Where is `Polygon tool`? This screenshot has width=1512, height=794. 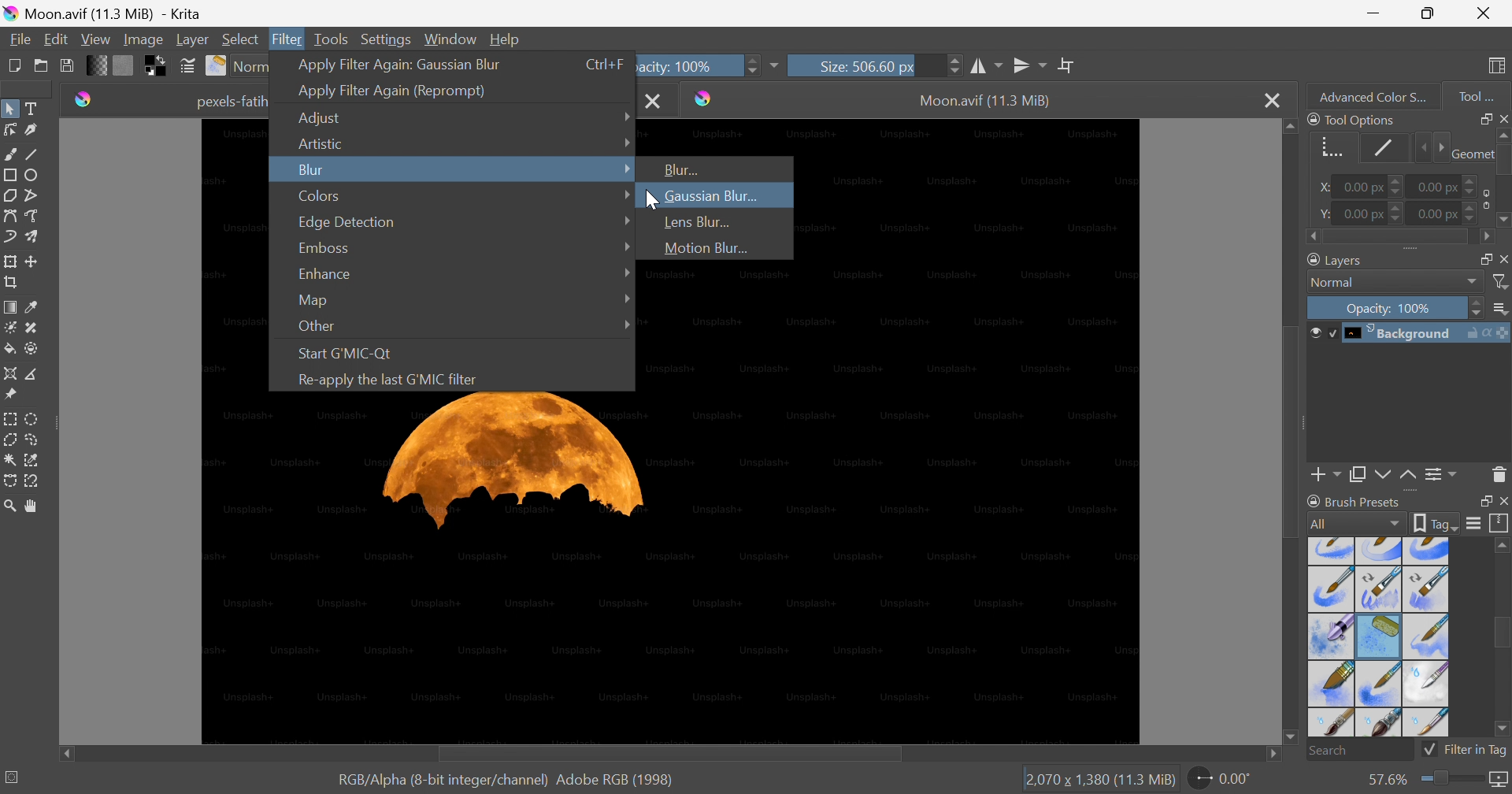 Polygon tool is located at coordinates (9, 195).